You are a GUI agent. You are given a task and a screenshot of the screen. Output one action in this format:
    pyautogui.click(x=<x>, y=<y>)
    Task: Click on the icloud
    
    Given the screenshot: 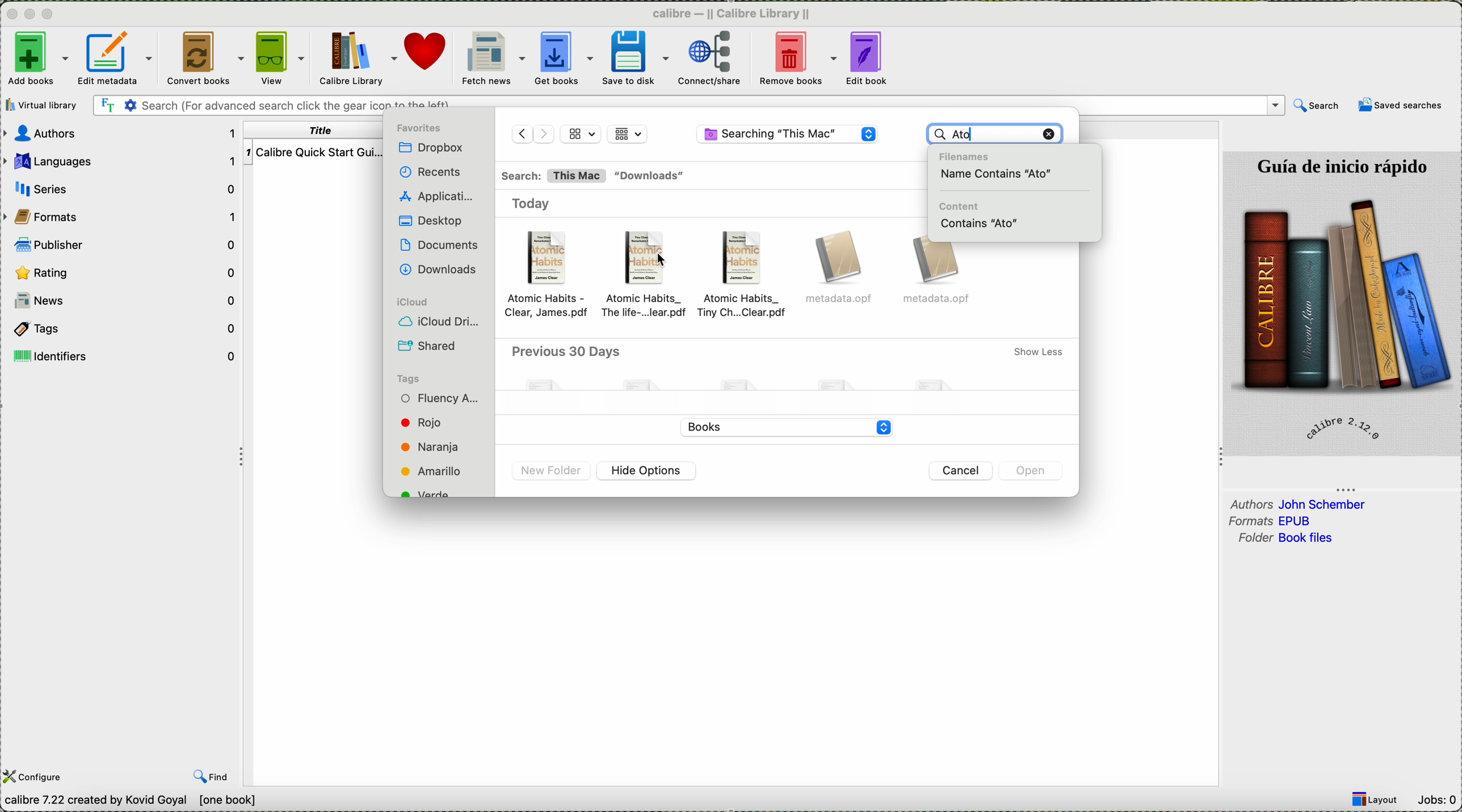 What is the action you would take?
    pyautogui.click(x=410, y=301)
    